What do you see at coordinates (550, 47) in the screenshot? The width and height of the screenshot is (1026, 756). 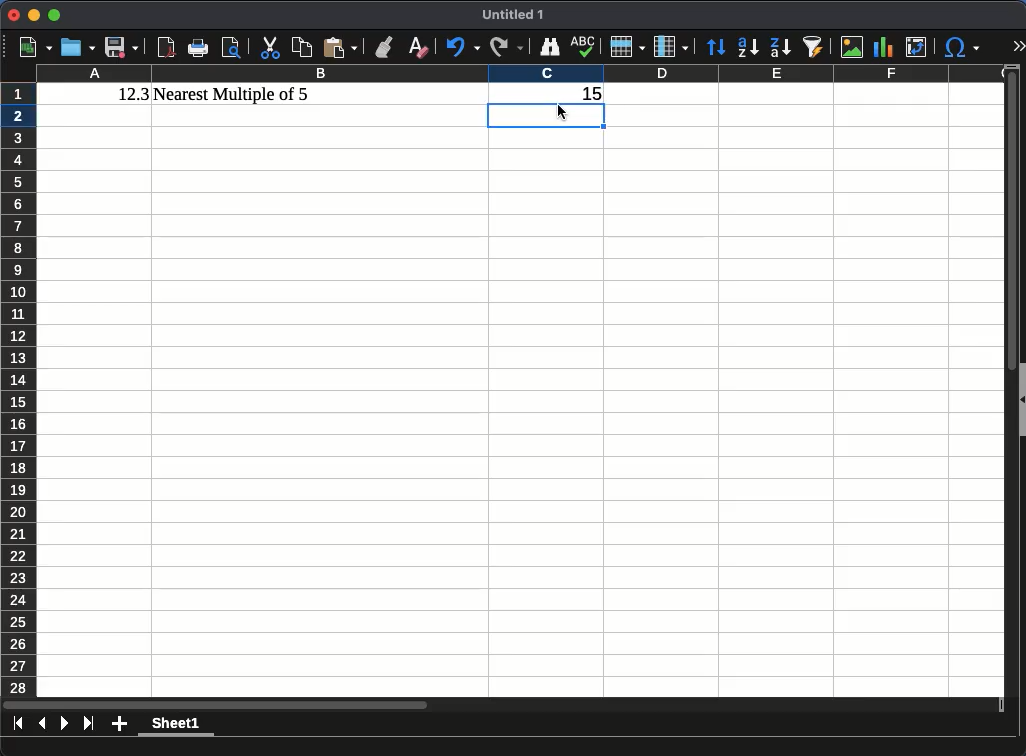 I see `finder` at bounding box center [550, 47].